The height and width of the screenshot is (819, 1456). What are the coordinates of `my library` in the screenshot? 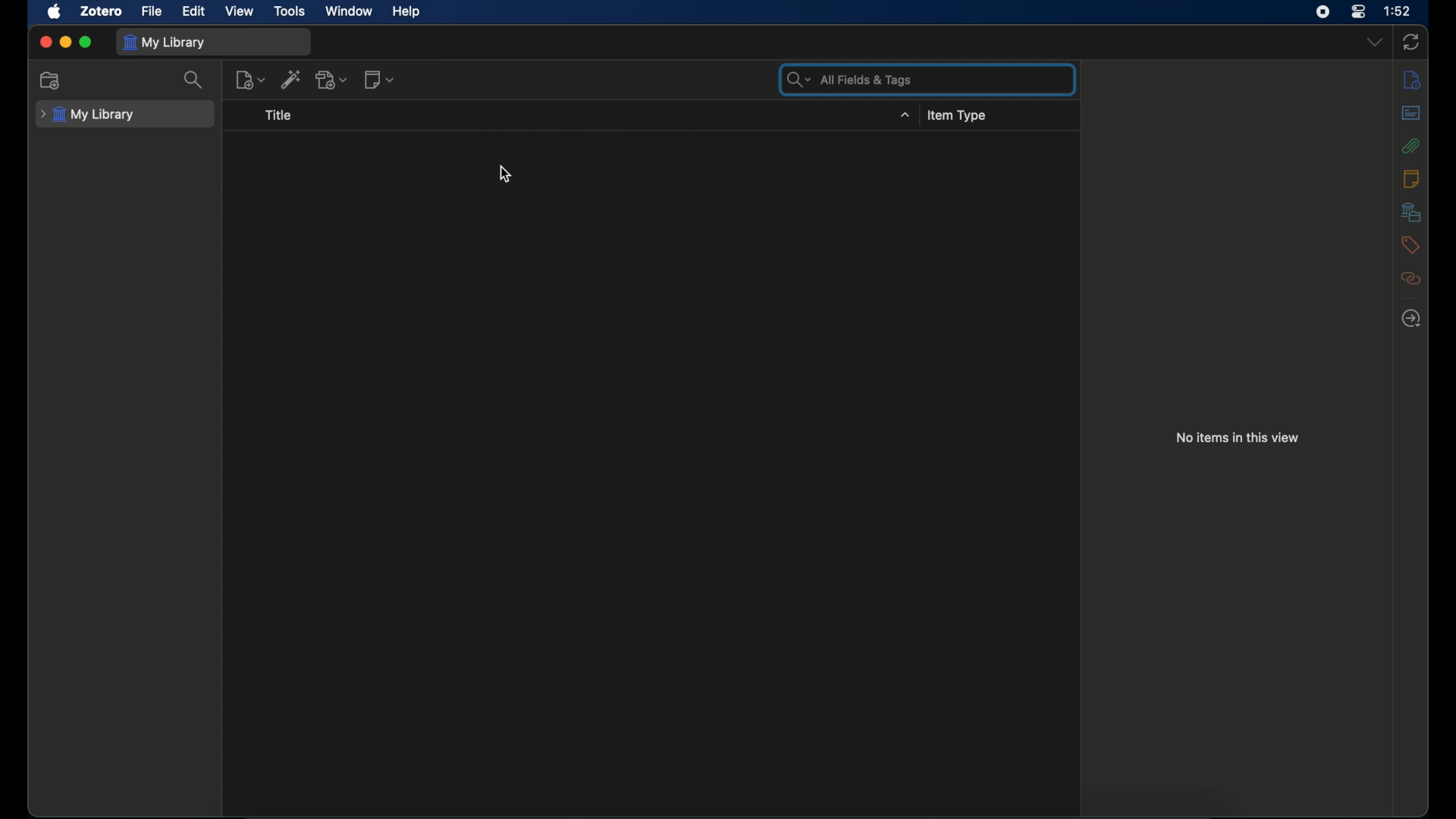 It's located at (87, 115).